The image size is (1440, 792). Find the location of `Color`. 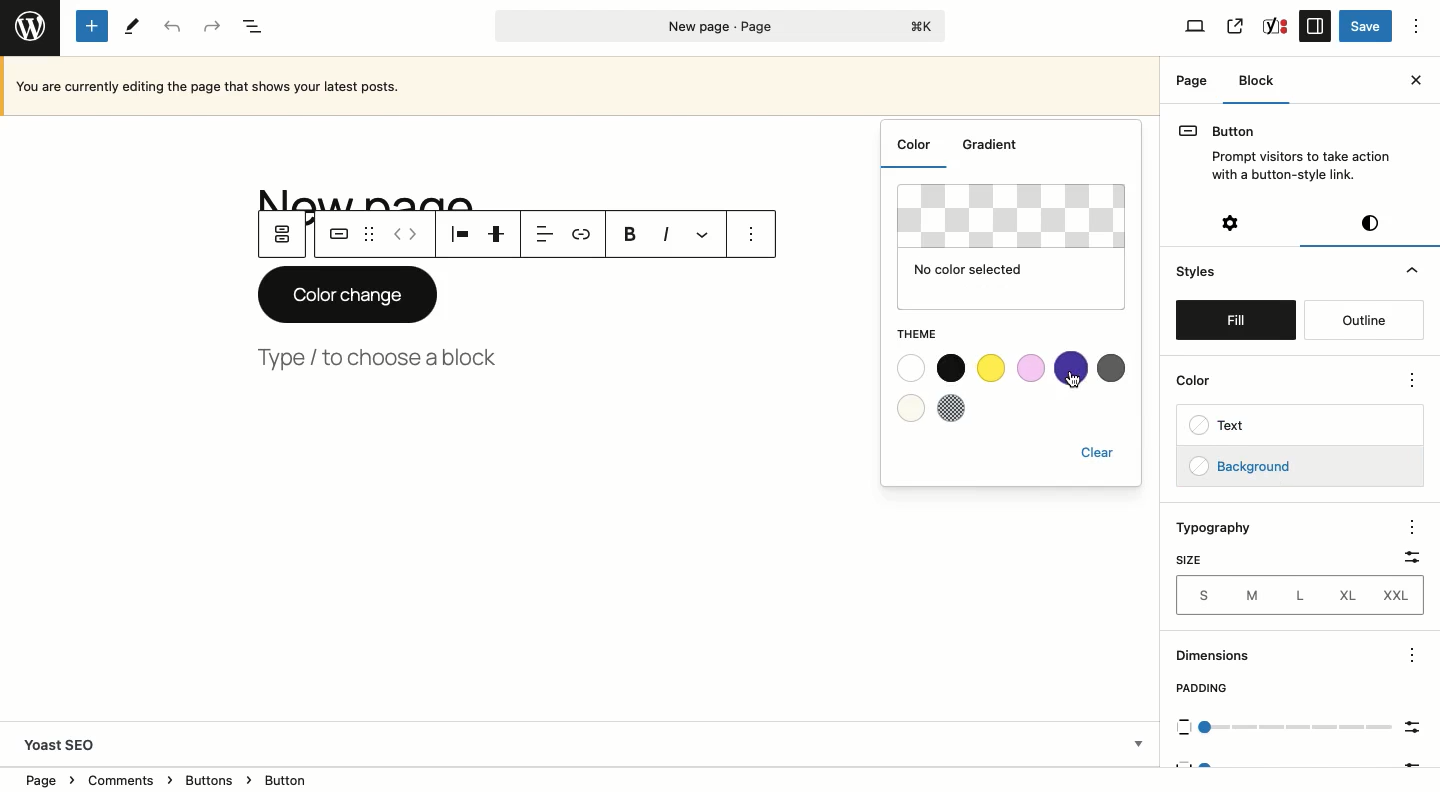

Color is located at coordinates (1297, 382).